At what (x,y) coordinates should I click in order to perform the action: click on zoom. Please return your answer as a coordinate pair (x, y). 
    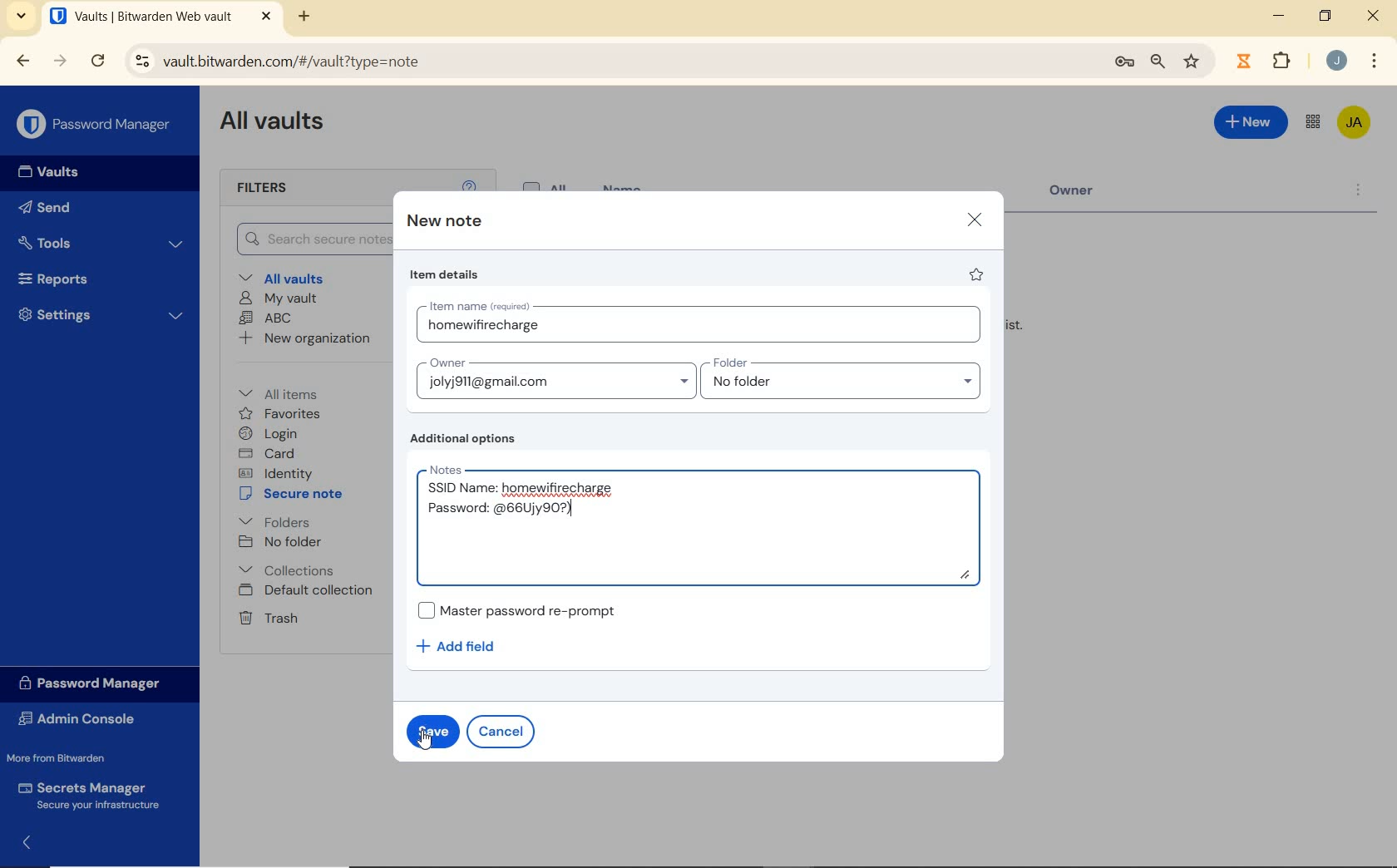
    Looking at the image, I should click on (1158, 63).